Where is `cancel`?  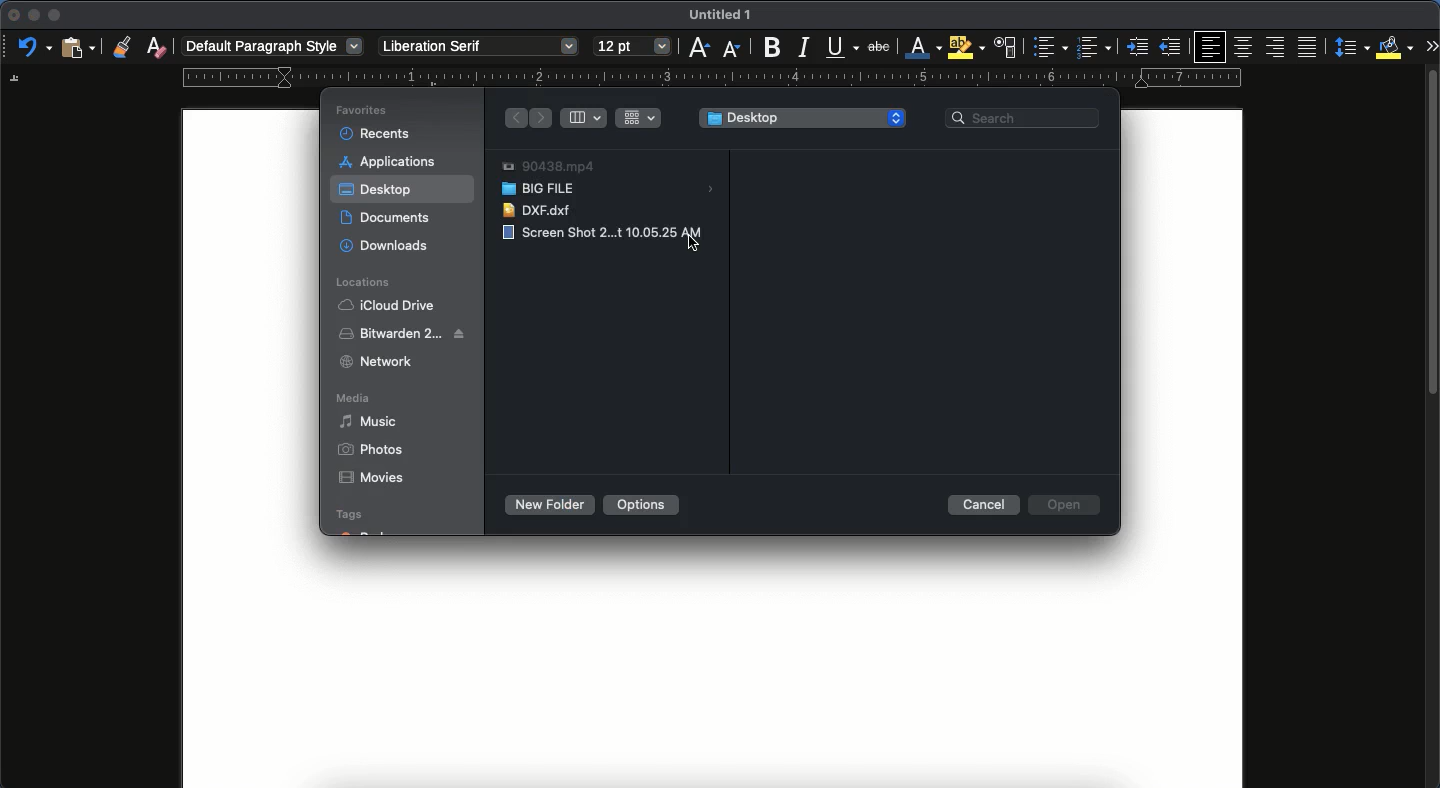
cancel is located at coordinates (985, 504).